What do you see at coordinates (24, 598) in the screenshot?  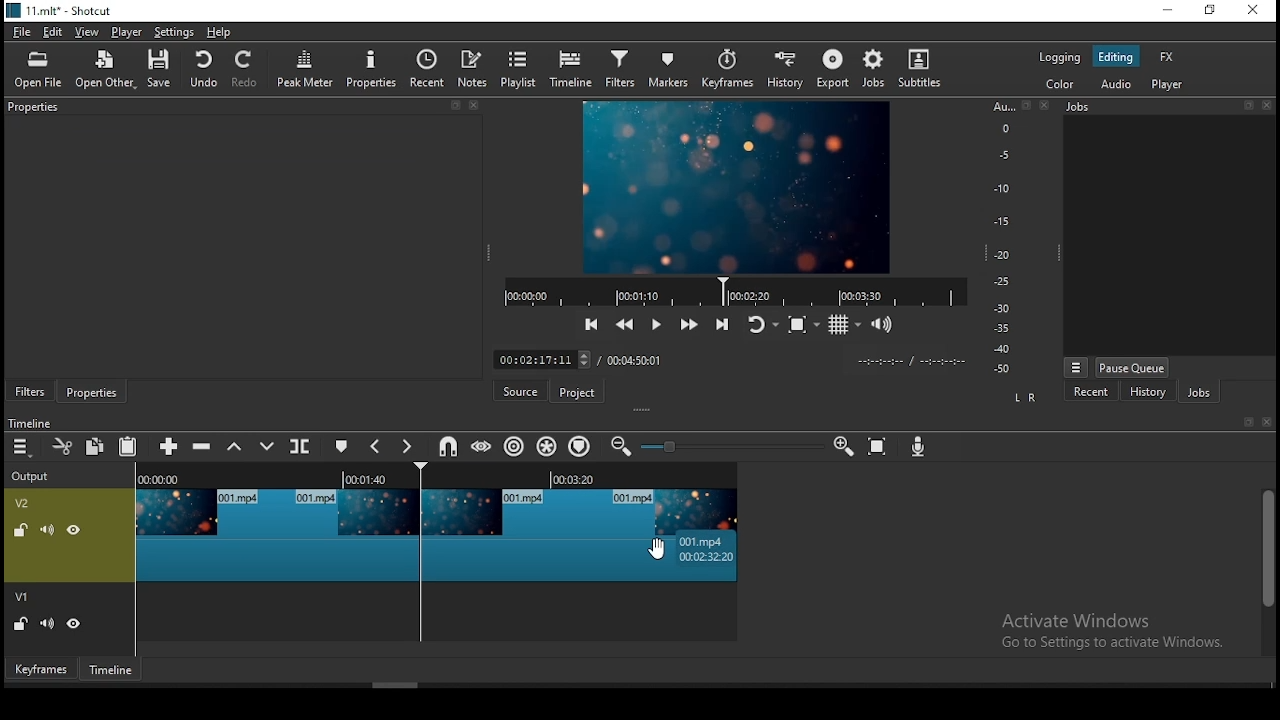 I see `V1` at bounding box center [24, 598].